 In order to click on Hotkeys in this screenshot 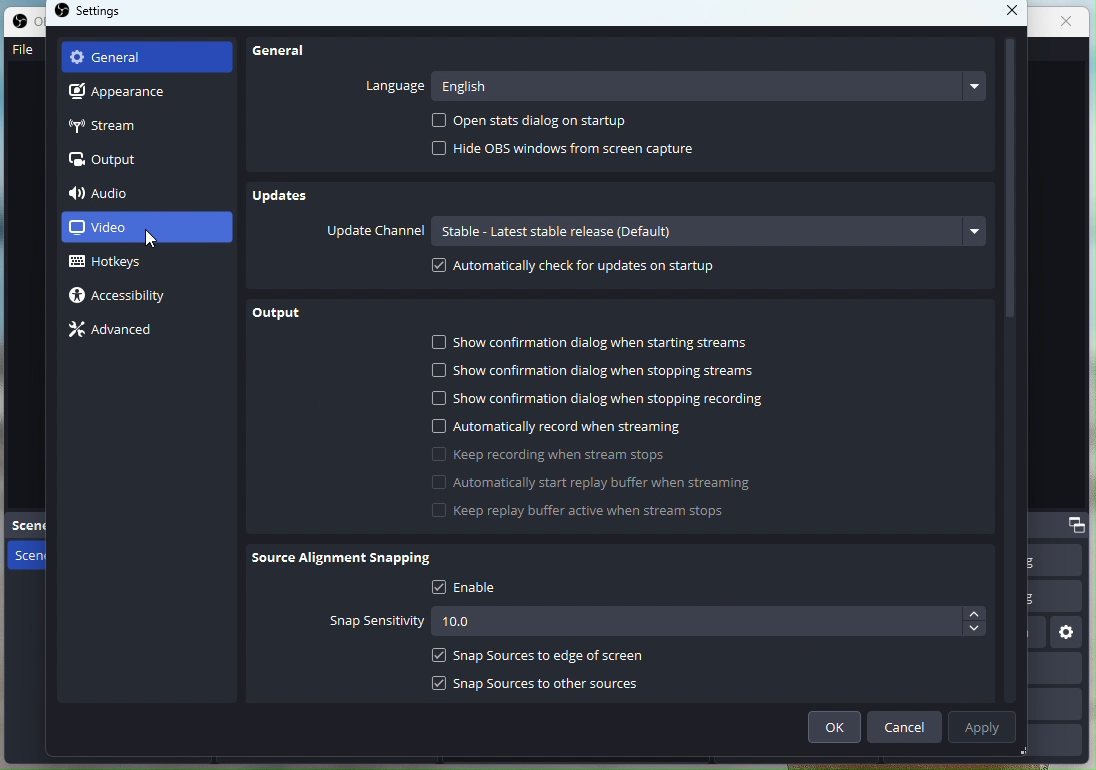, I will do `click(124, 264)`.